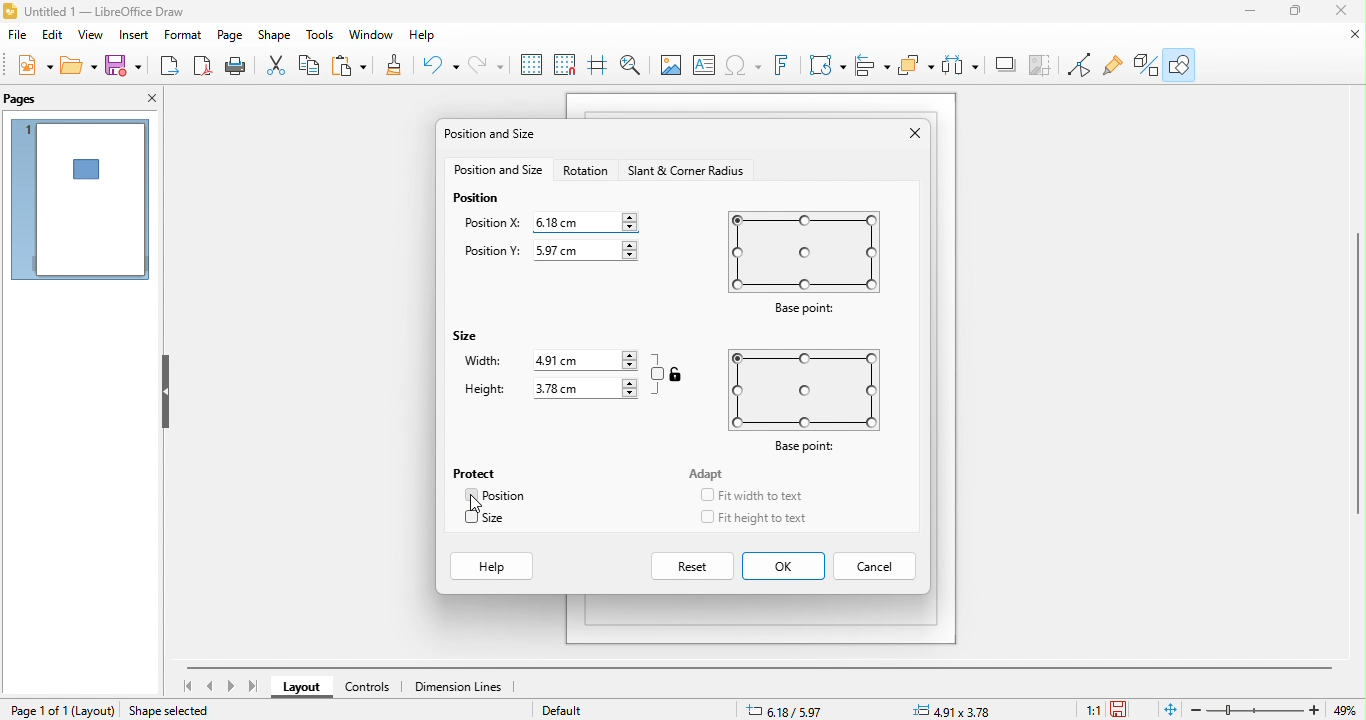  Describe the element at coordinates (92, 36) in the screenshot. I see `view` at that location.